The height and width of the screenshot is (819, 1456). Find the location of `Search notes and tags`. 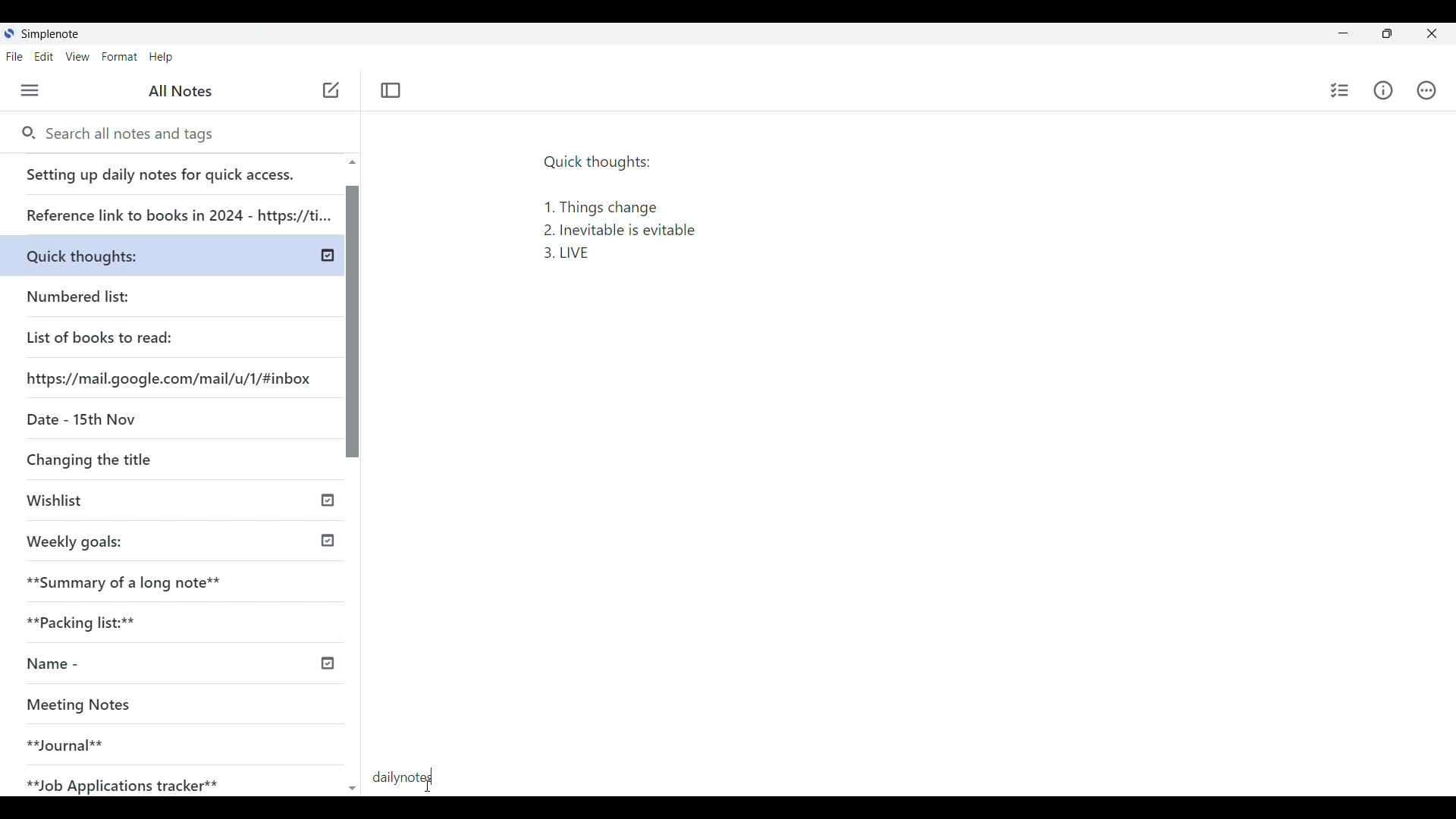

Search notes and tags is located at coordinates (136, 134).